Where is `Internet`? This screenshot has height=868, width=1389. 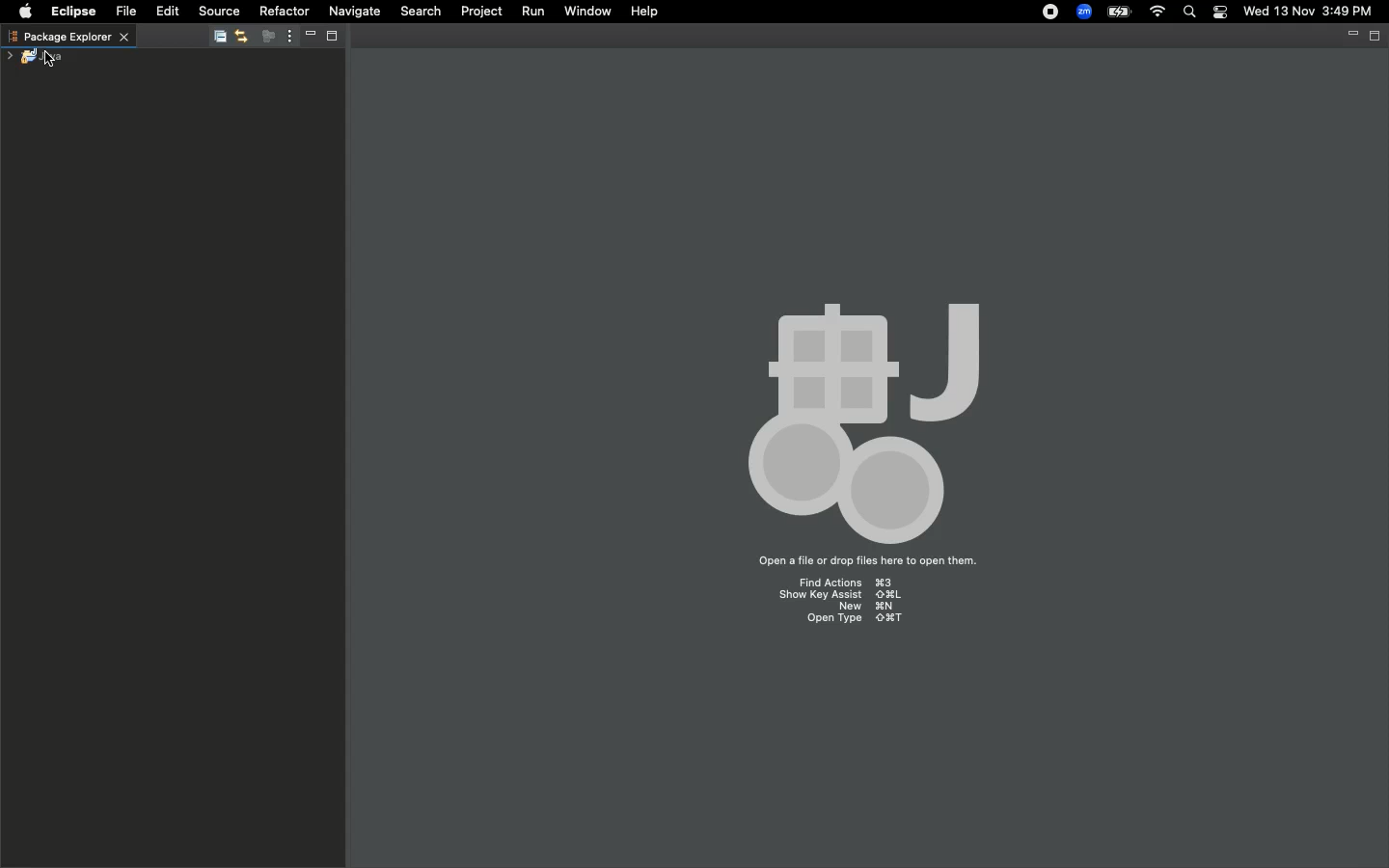 Internet is located at coordinates (1158, 13).